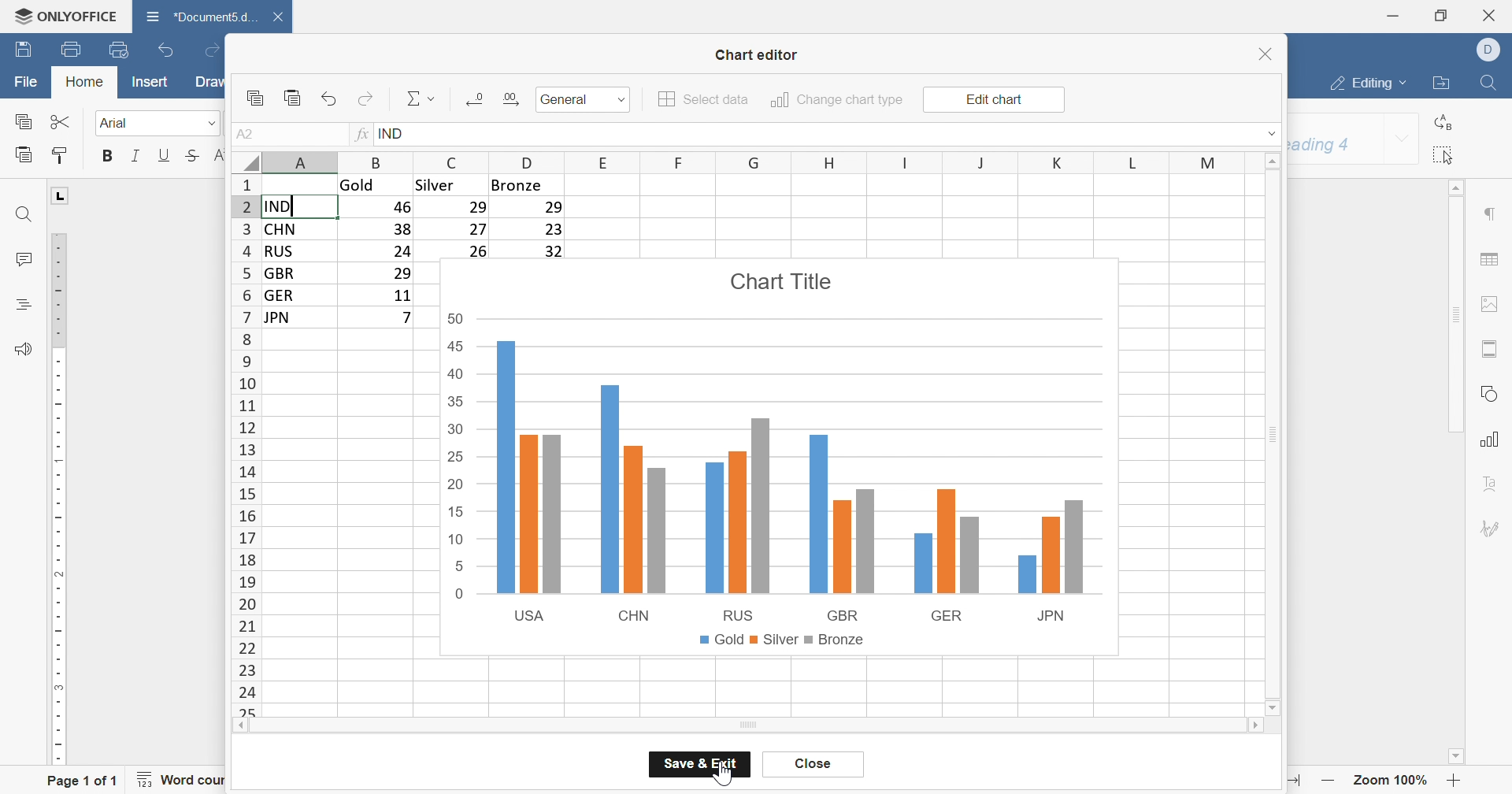 The height and width of the screenshot is (794, 1512). I want to click on underline, so click(164, 155).